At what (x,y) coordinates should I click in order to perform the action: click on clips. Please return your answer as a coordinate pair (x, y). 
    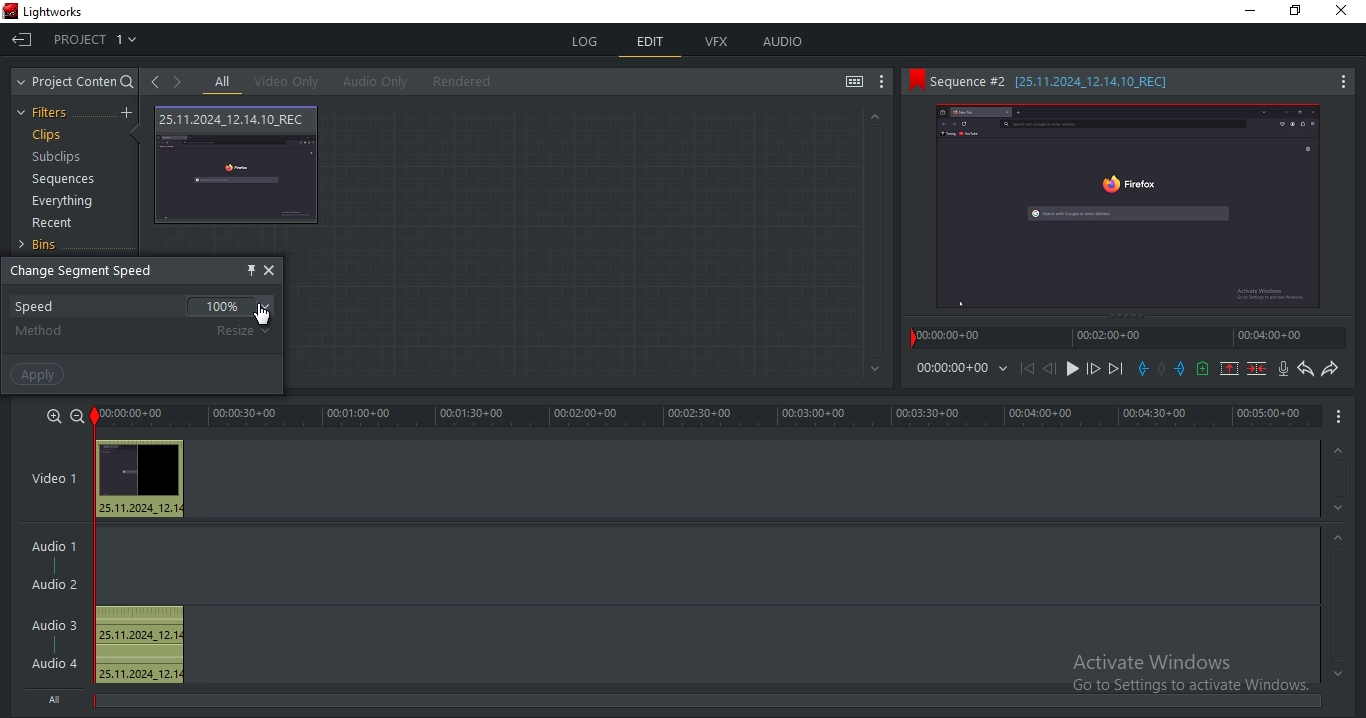
    Looking at the image, I should click on (50, 136).